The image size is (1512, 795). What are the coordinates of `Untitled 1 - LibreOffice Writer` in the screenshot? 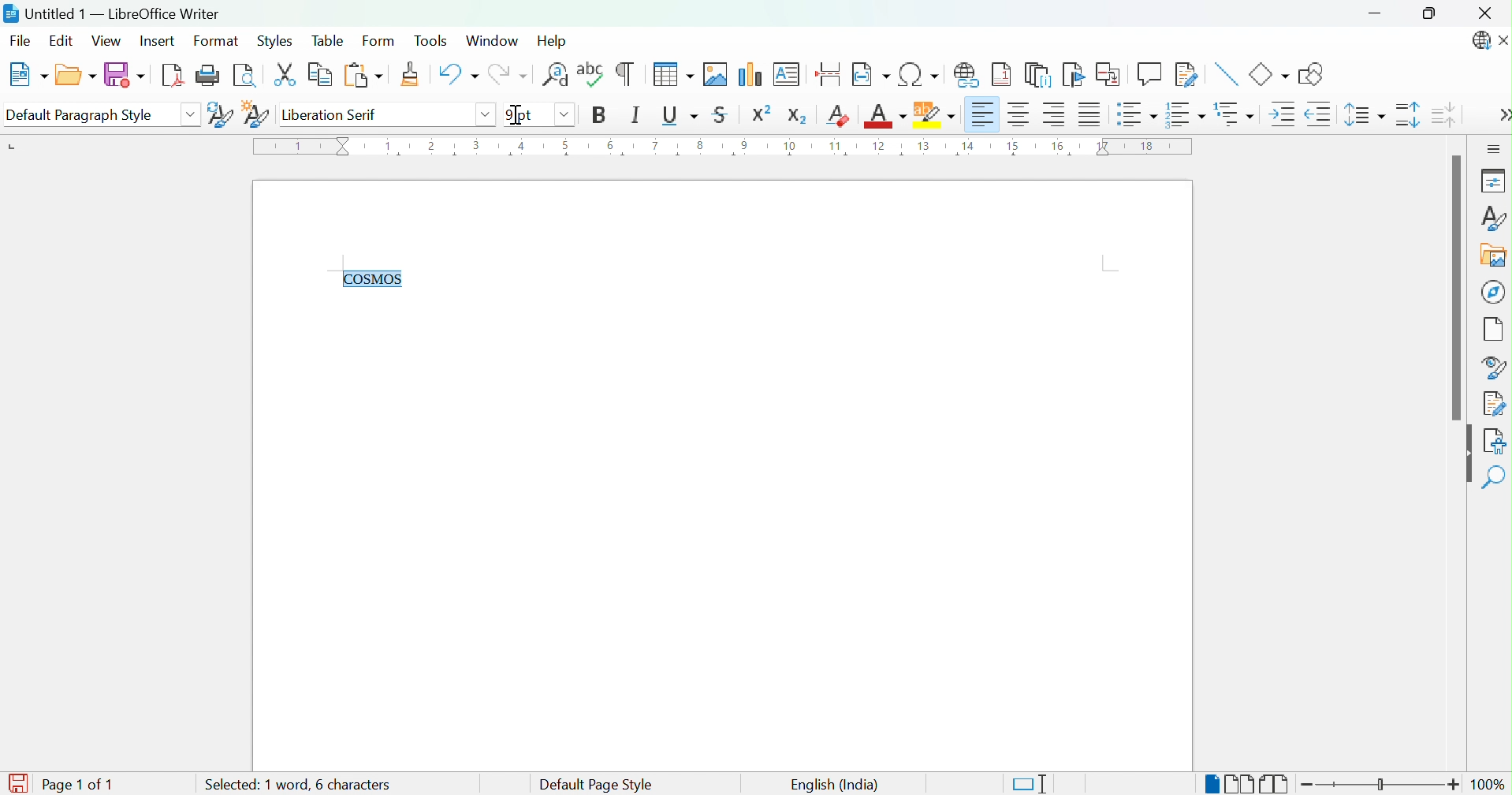 It's located at (113, 12).